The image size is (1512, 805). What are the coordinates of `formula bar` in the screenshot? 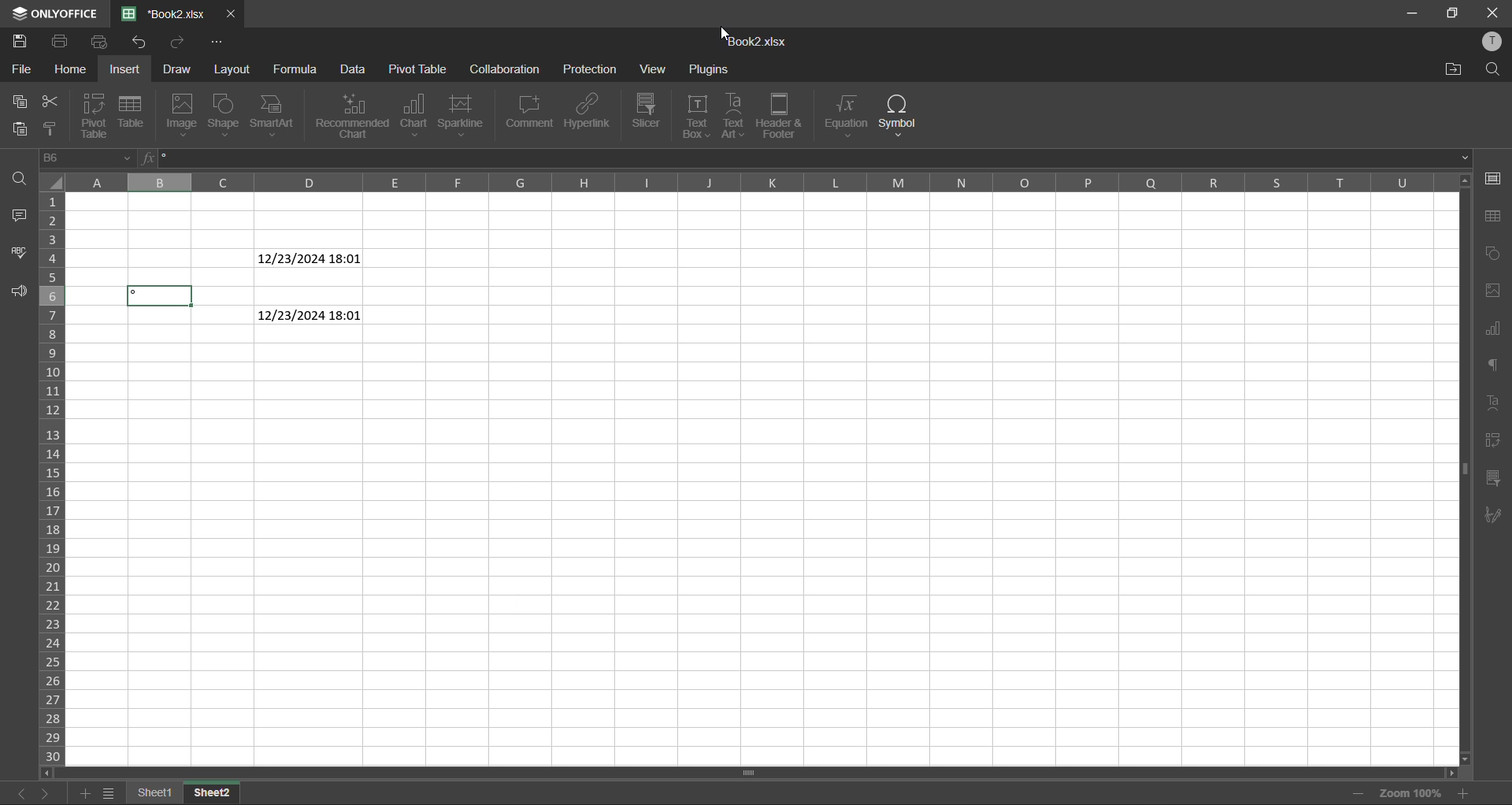 It's located at (806, 158).